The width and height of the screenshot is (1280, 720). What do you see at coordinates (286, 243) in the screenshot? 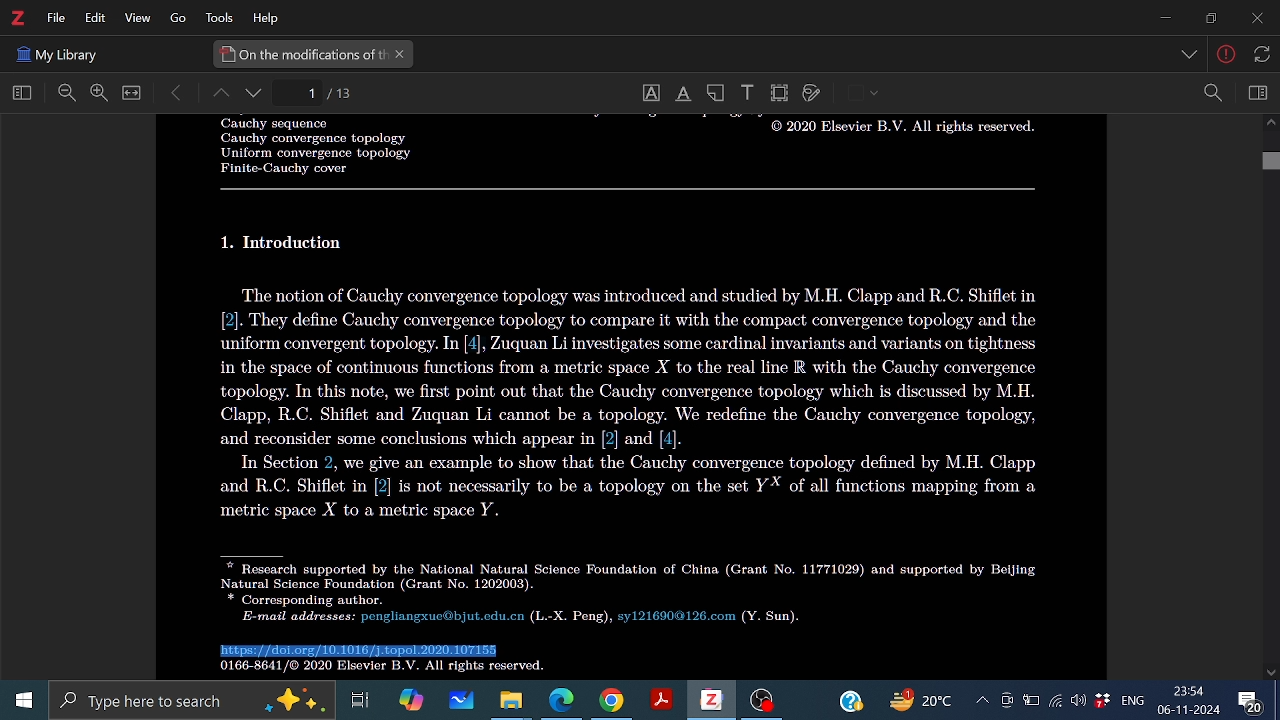
I see `` at bounding box center [286, 243].